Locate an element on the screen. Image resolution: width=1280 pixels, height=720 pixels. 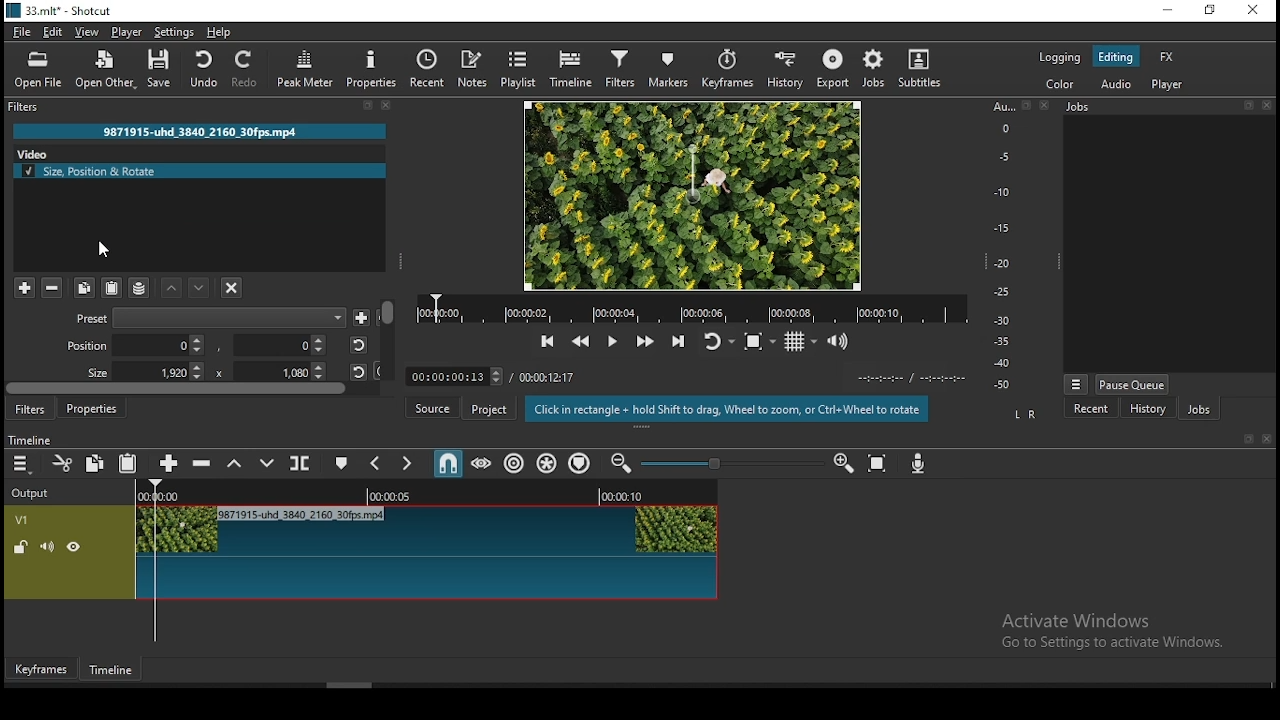
close is located at coordinates (1267, 440).